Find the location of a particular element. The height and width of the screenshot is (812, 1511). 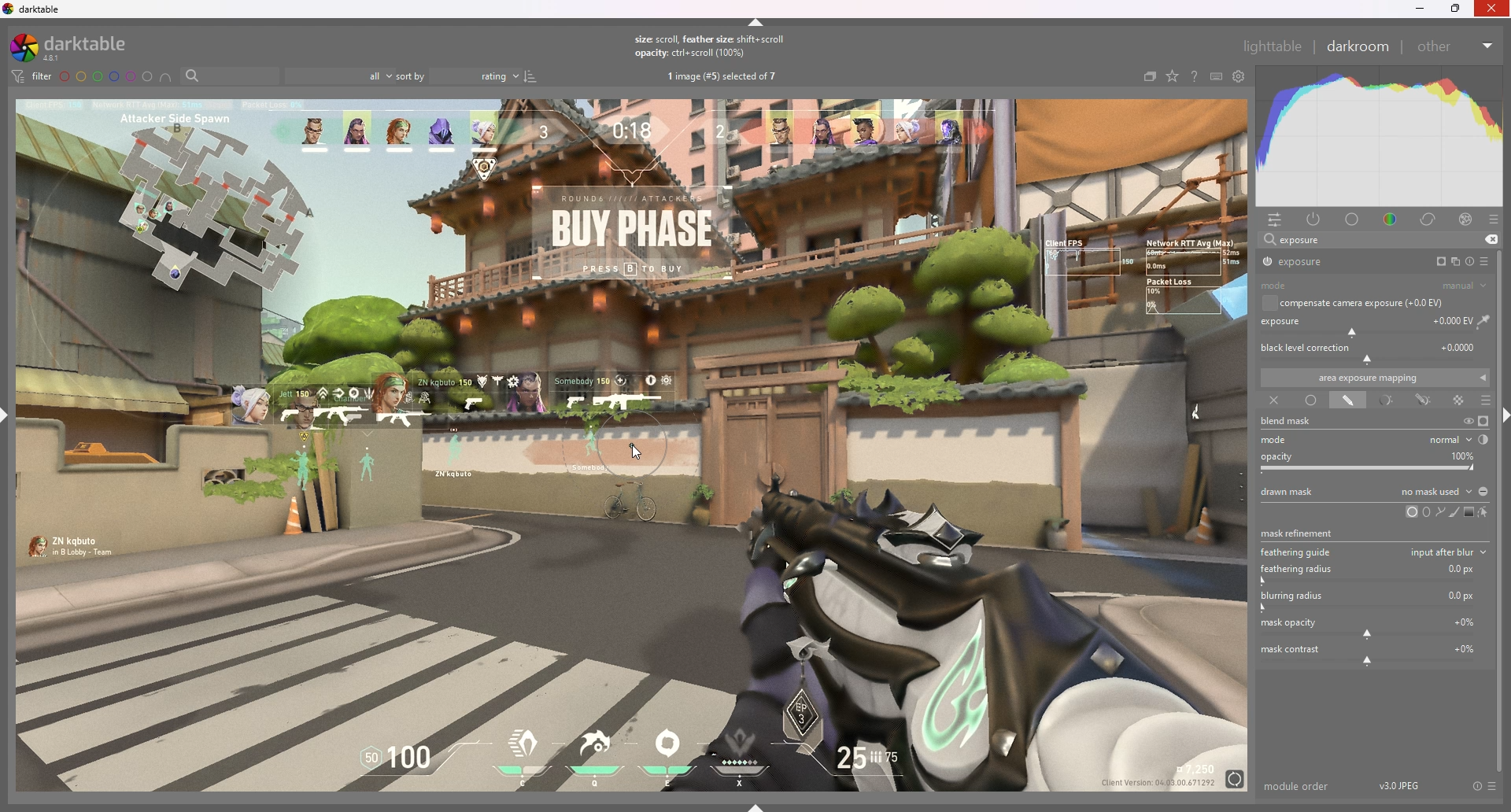

circle is located at coordinates (1409, 512).